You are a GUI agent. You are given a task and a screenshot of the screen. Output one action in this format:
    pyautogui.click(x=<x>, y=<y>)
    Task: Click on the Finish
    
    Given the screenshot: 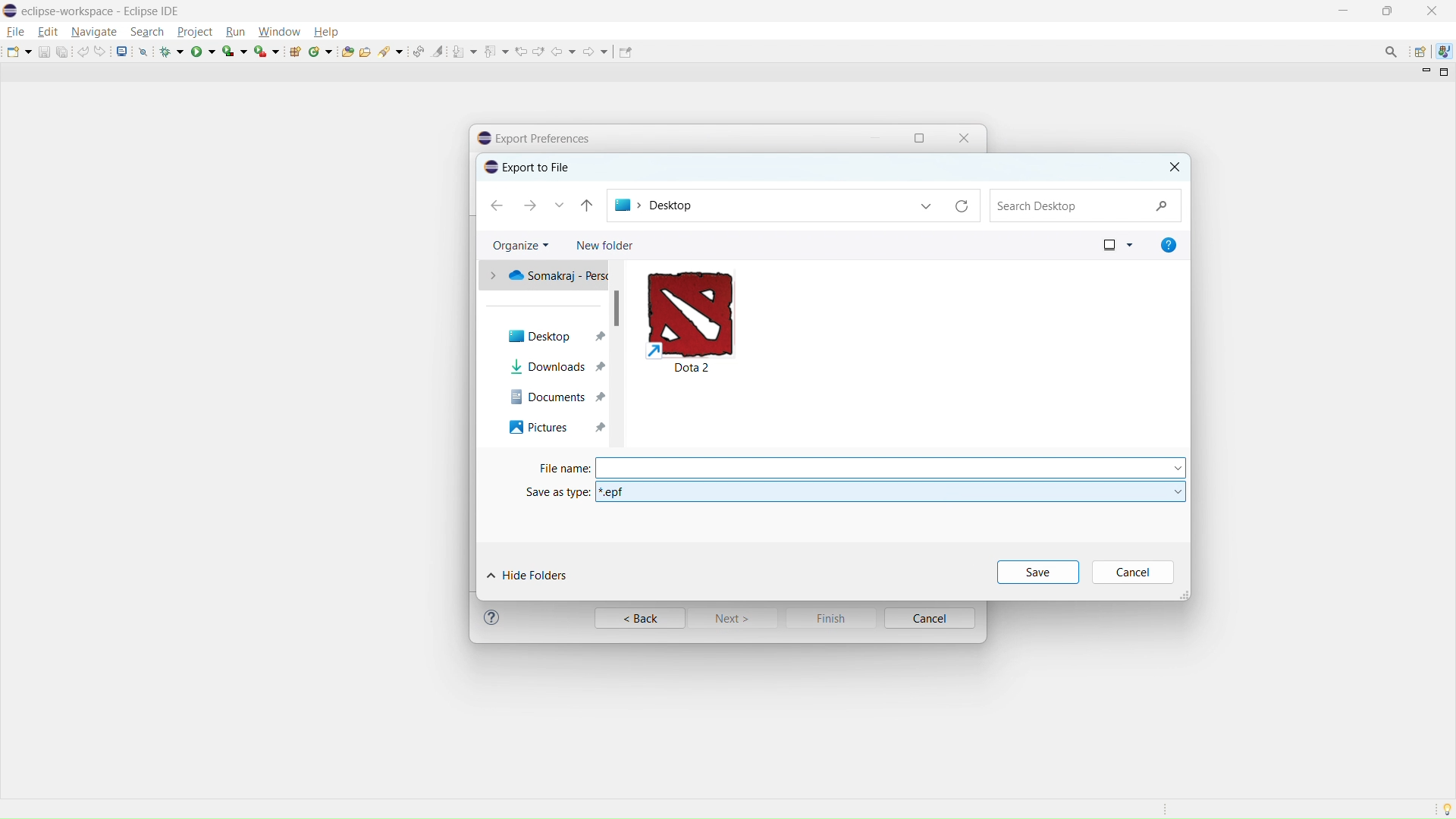 What is the action you would take?
    pyautogui.click(x=833, y=618)
    